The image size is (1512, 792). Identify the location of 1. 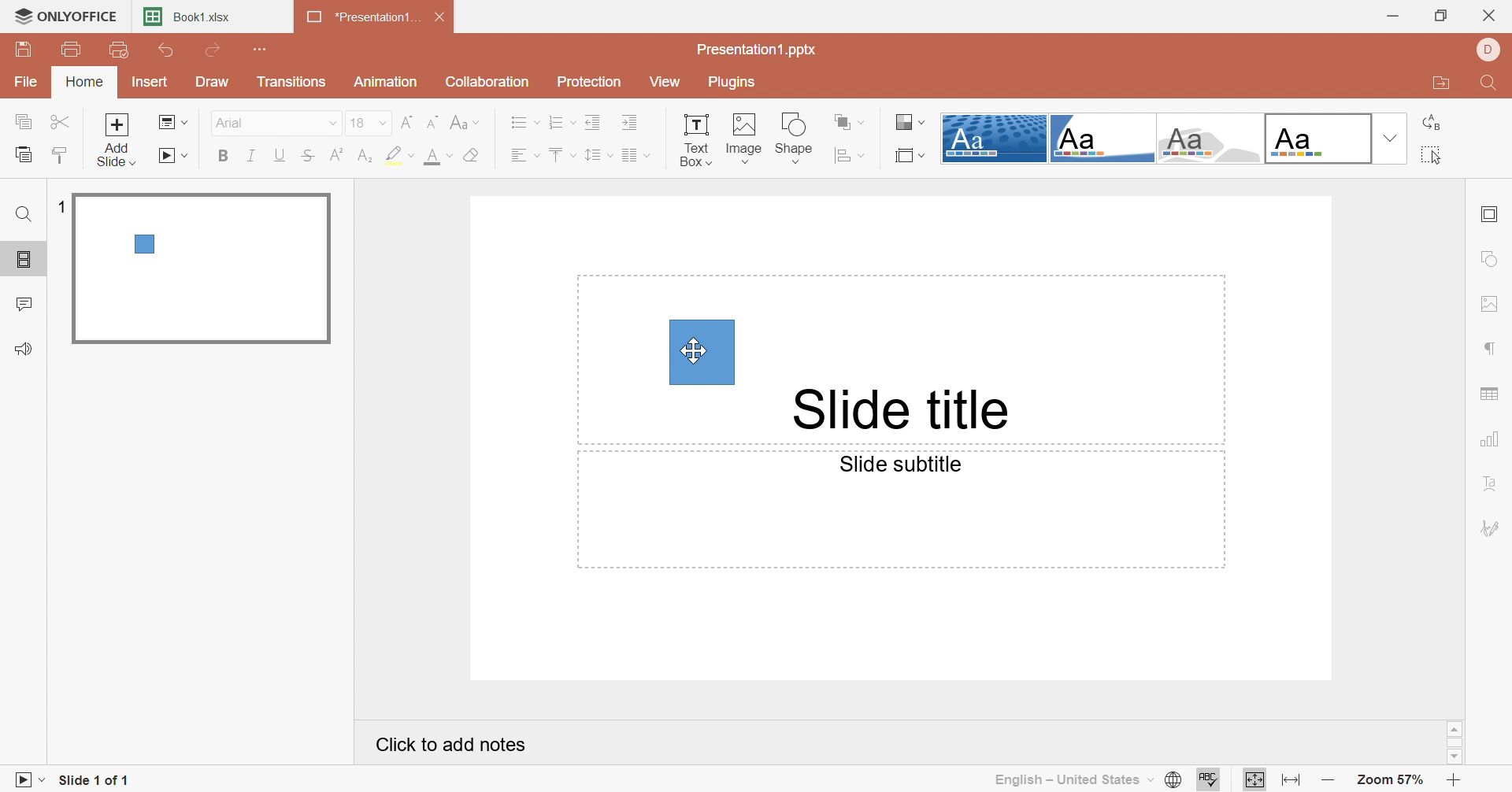
(59, 203).